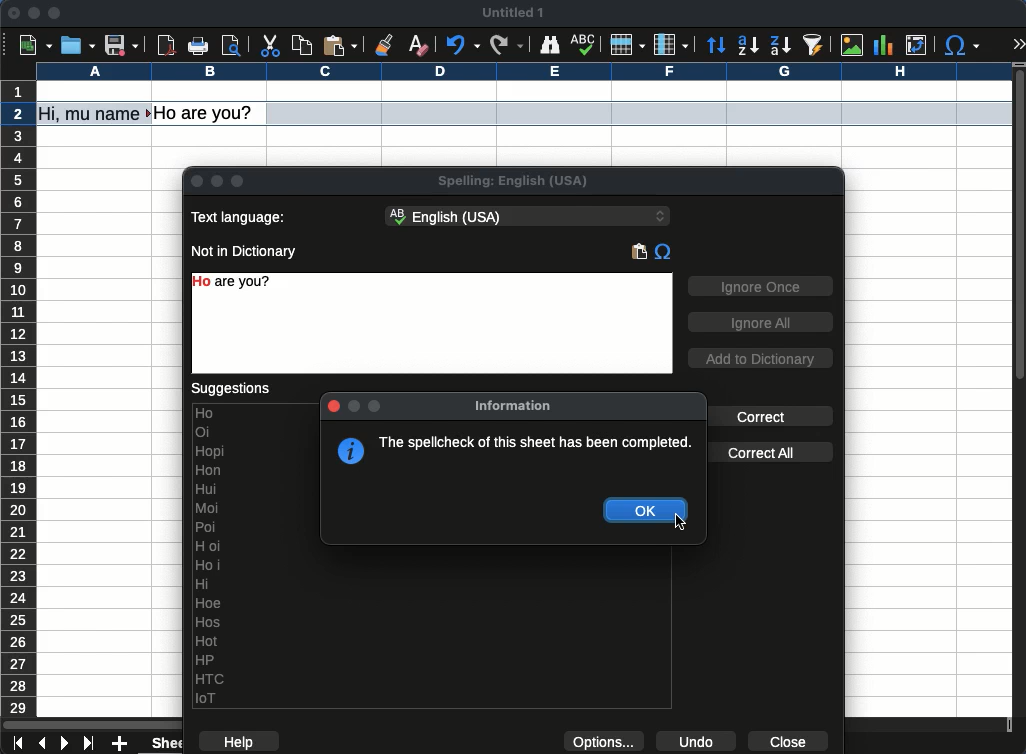 This screenshot has height=754, width=1026. Describe the element at coordinates (167, 45) in the screenshot. I see `pdf preview` at that location.